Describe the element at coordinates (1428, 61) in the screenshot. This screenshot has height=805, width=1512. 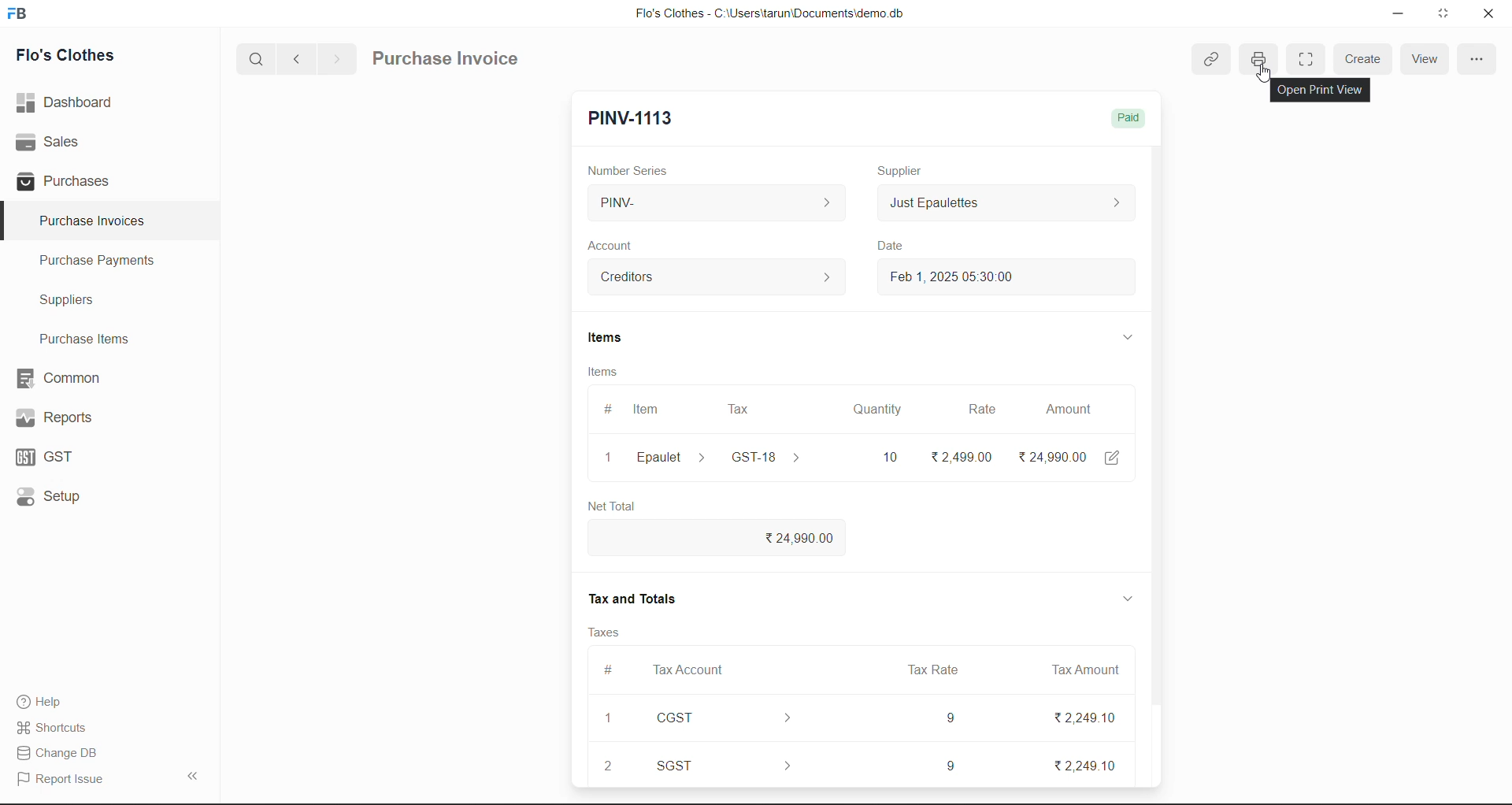
I see `view` at that location.